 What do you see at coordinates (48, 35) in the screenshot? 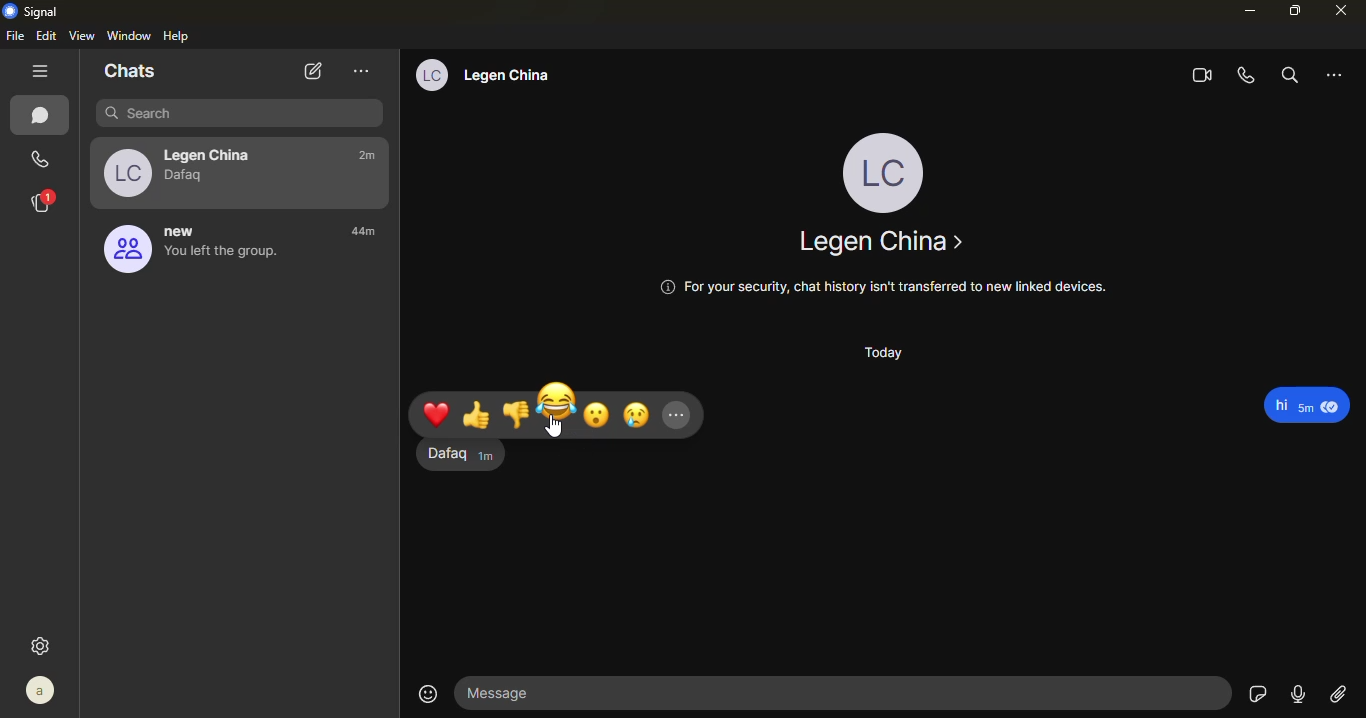
I see `edit` at bounding box center [48, 35].